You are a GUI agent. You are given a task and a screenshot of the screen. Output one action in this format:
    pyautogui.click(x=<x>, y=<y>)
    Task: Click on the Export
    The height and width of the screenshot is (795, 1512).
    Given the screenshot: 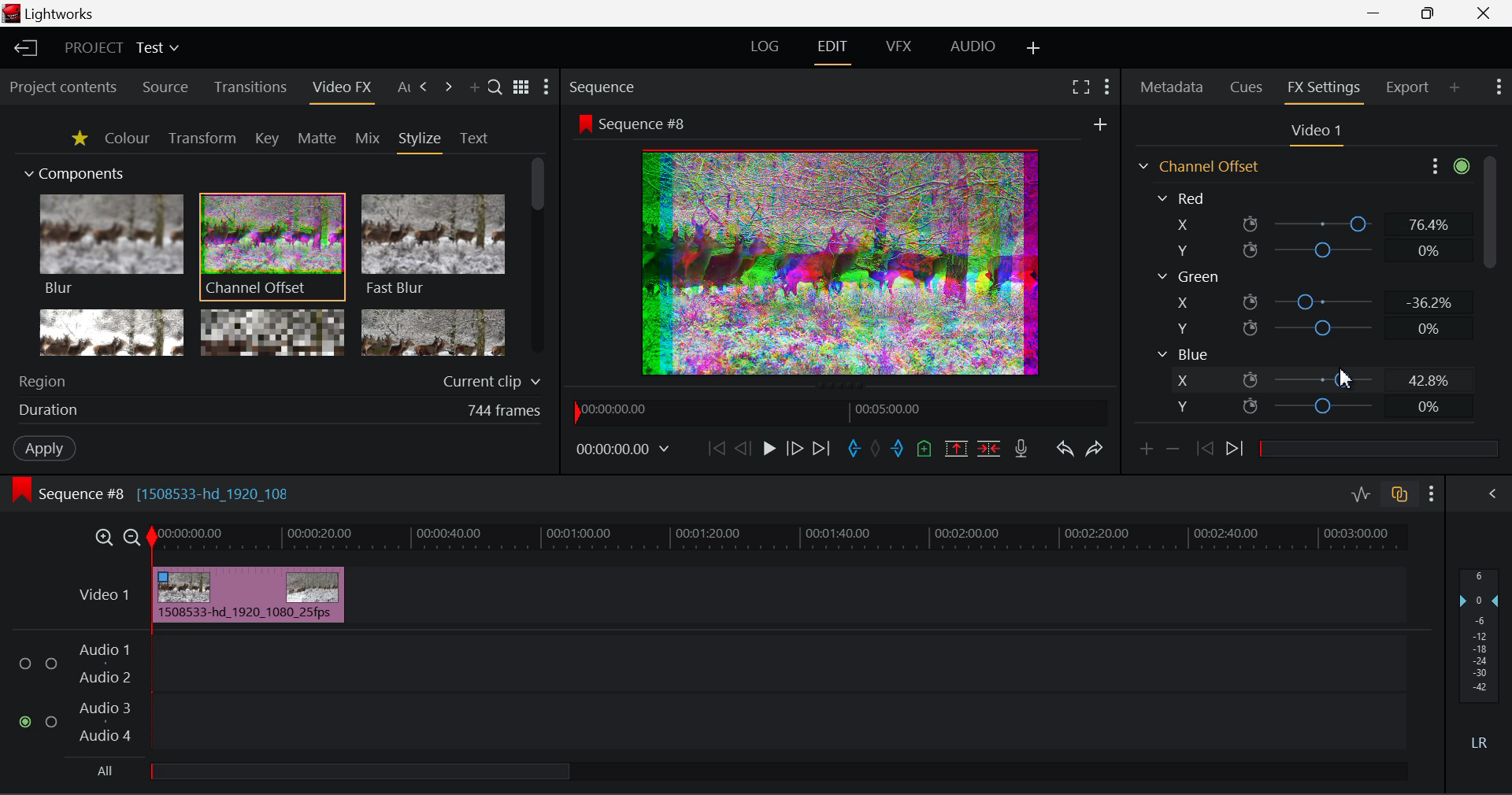 What is the action you would take?
    pyautogui.click(x=1408, y=87)
    